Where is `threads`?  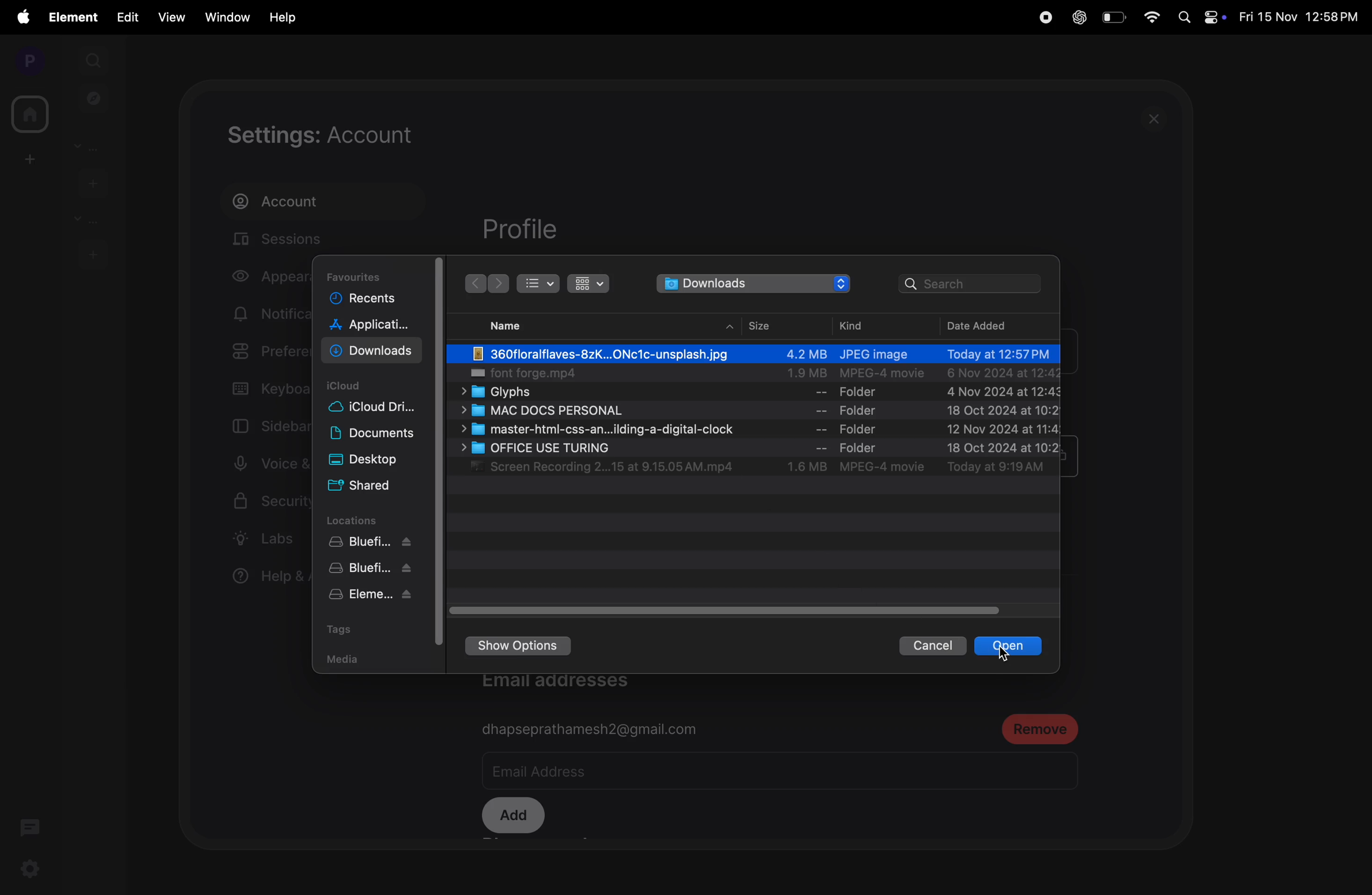 threads is located at coordinates (31, 826).